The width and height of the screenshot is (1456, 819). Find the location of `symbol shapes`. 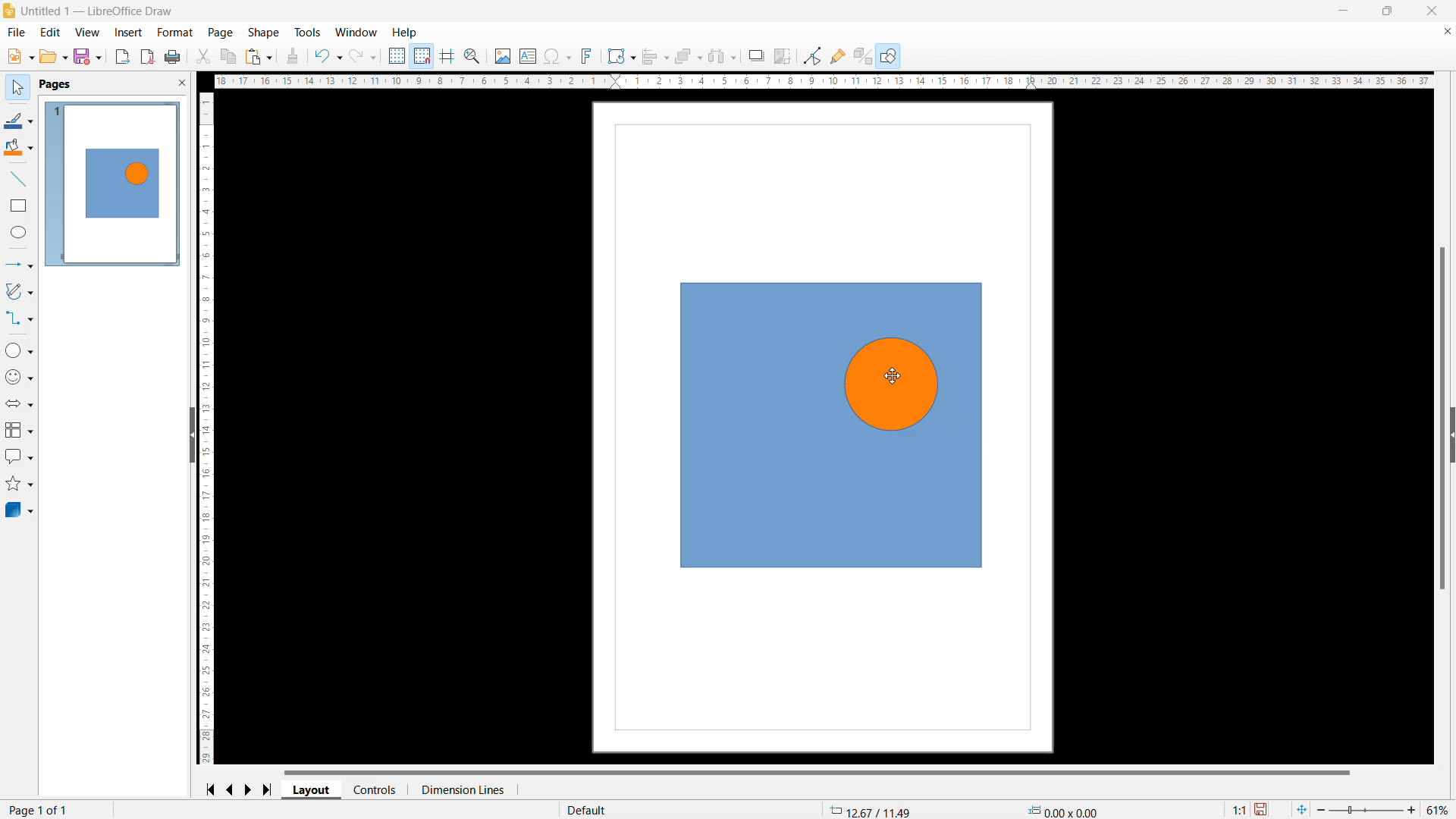

symbol shapes is located at coordinates (19, 378).